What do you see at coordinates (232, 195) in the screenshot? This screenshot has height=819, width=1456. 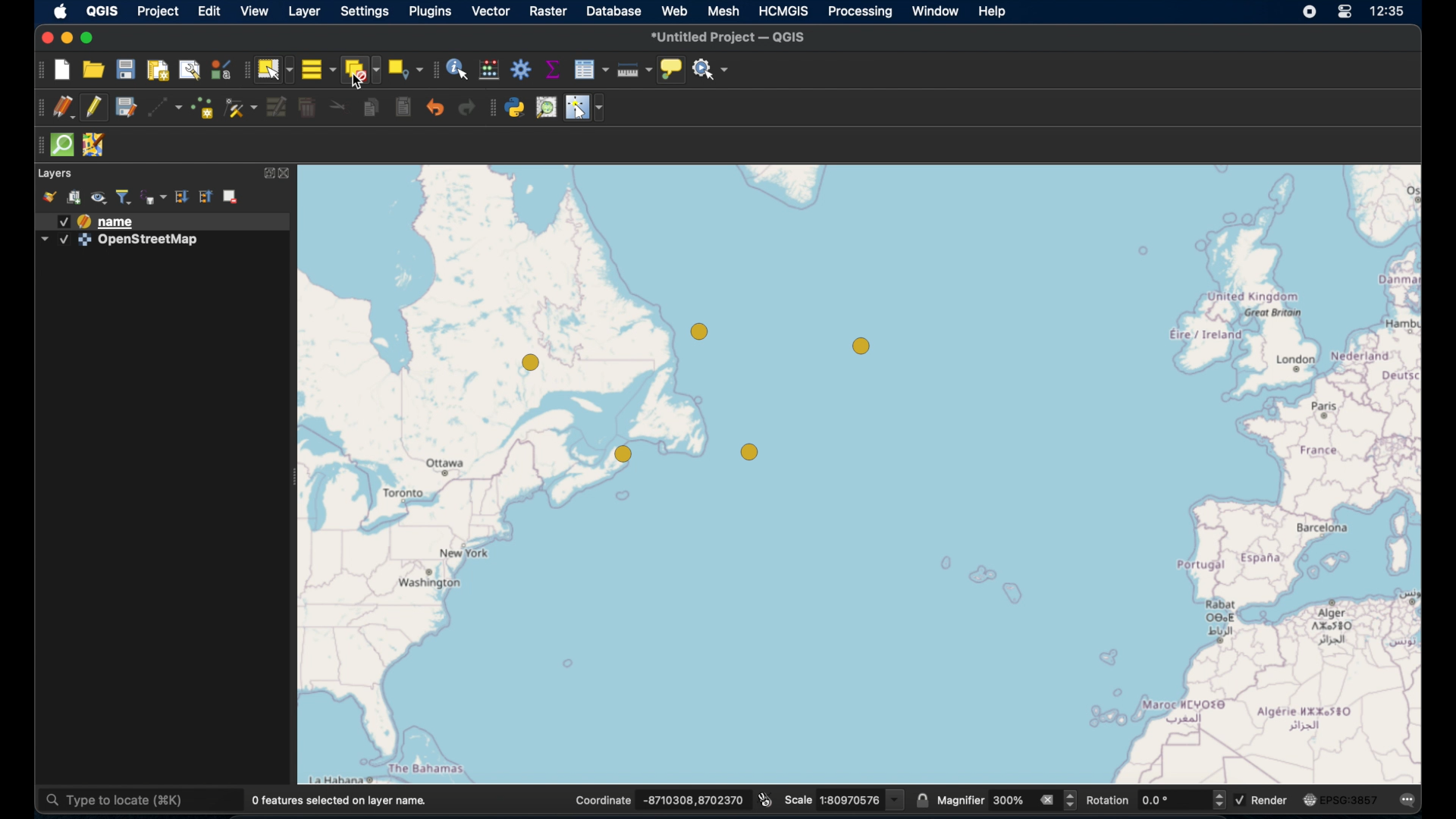 I see `remove layer/group` at bounding box center [232, 195].